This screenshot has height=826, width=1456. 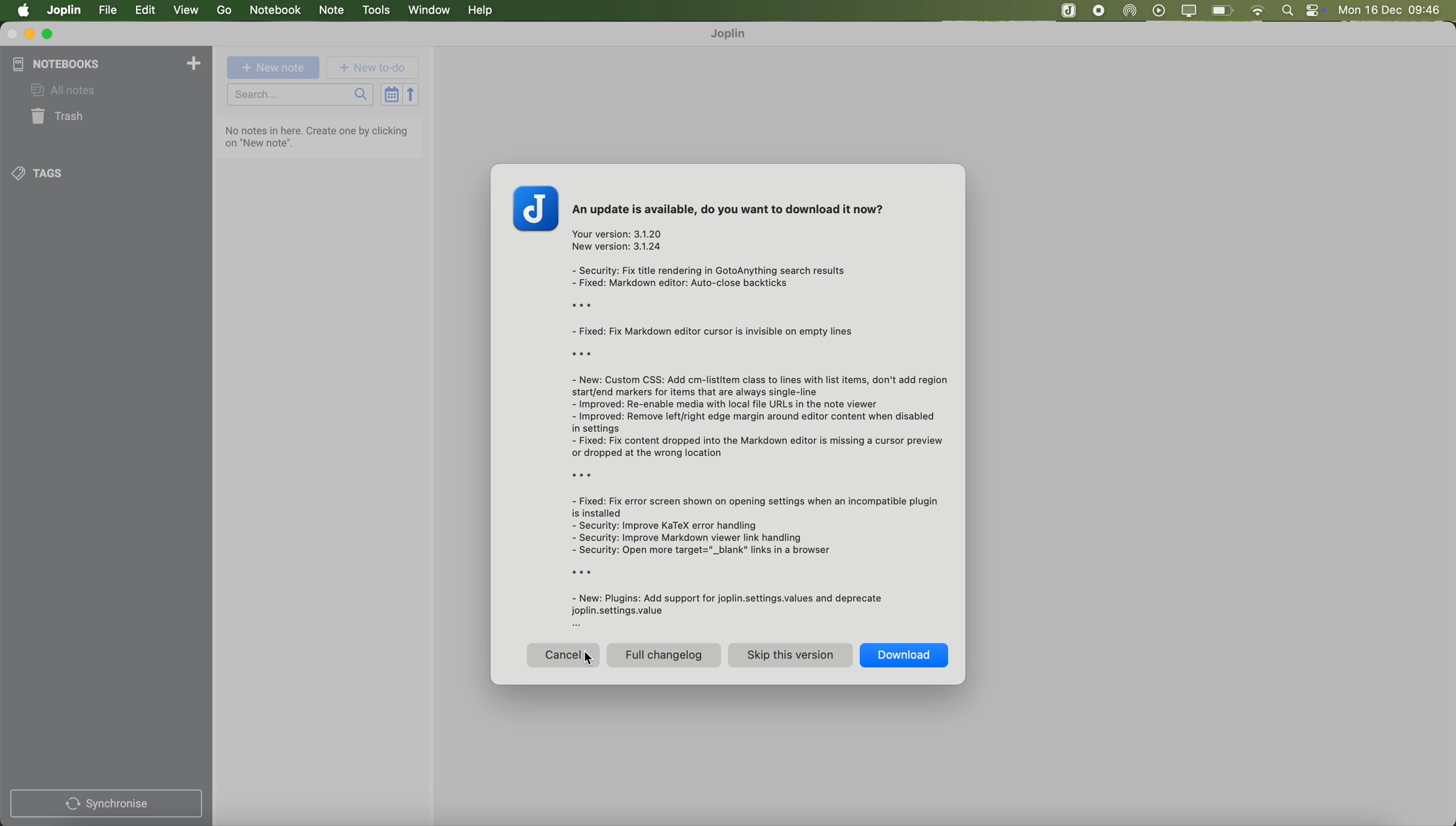 I want to click on go, so click(x=224, y=11).